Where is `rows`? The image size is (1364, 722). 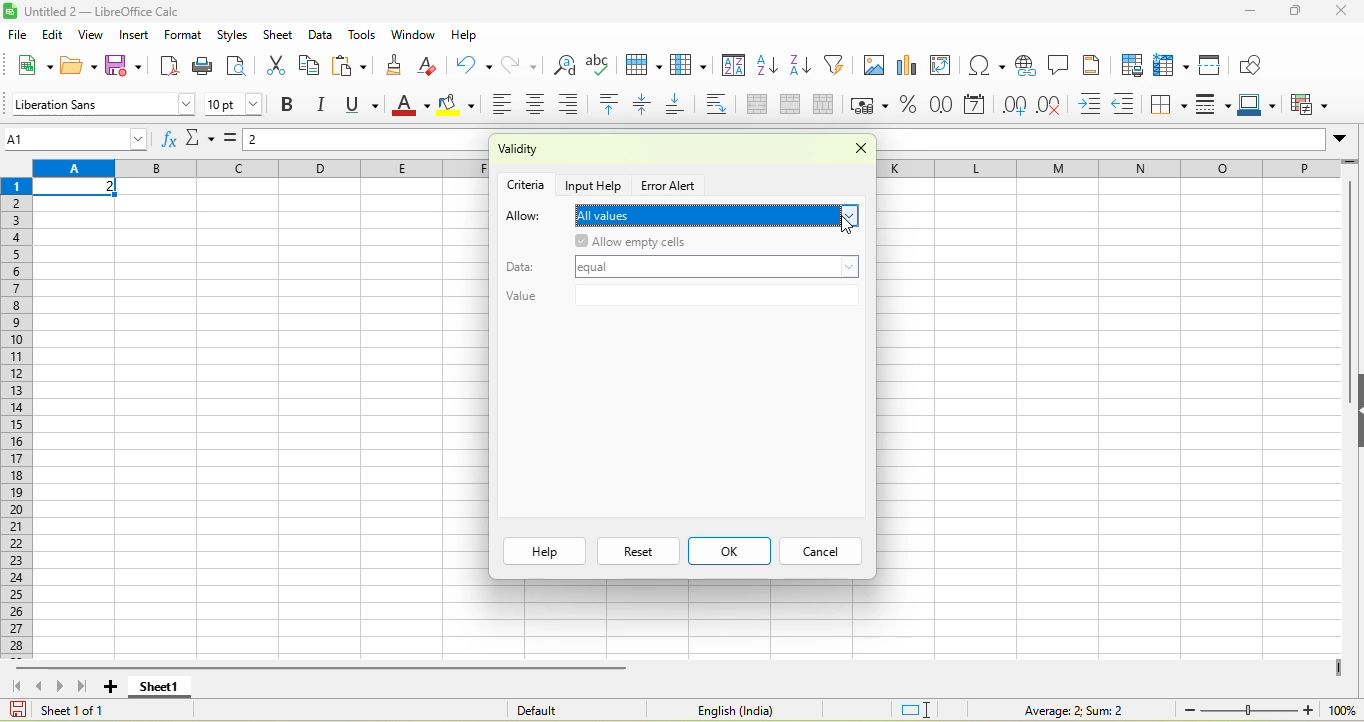 rows is located at coordinates (19, 417).